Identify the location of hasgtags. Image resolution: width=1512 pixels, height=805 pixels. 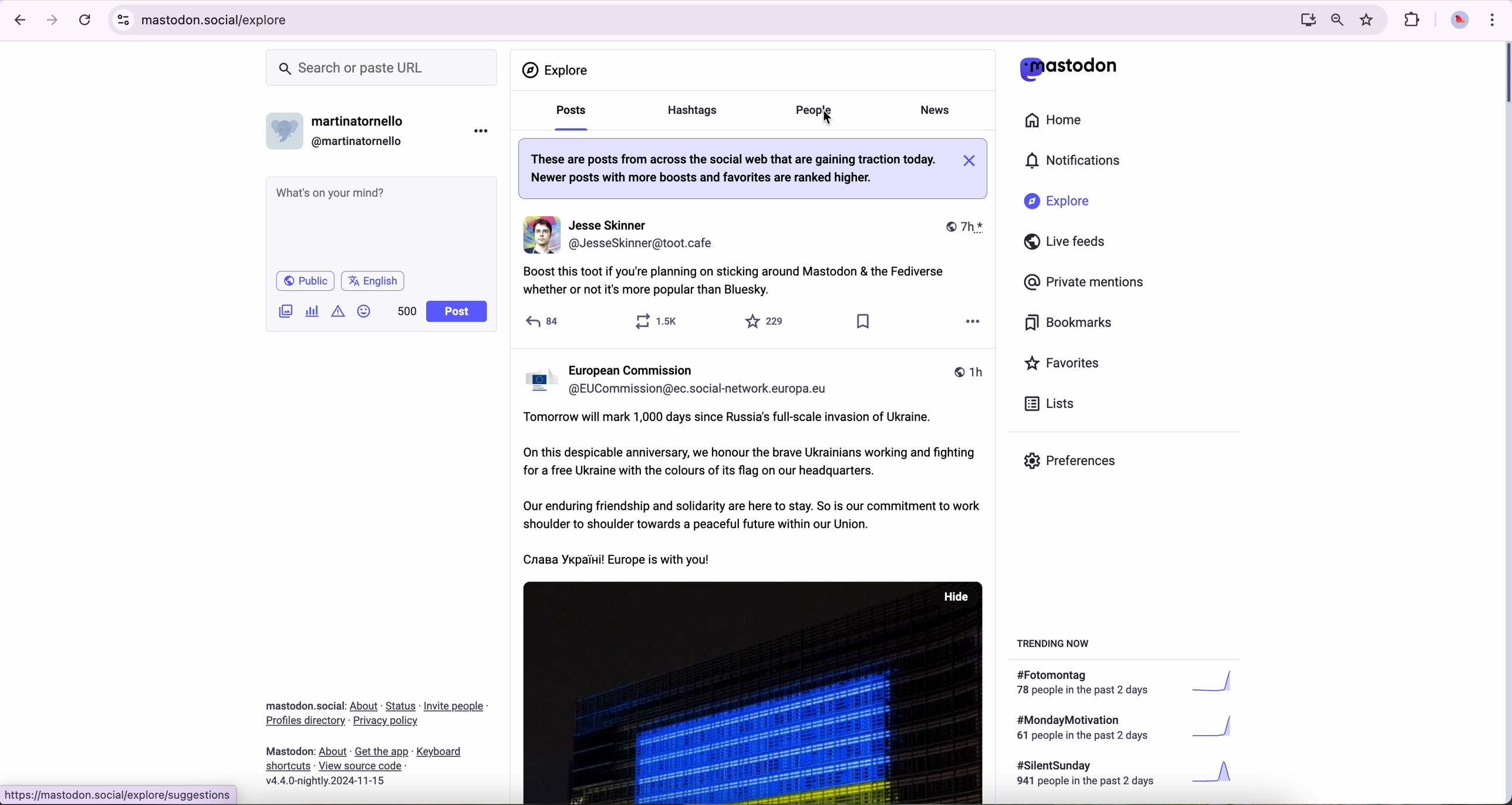
(699, 112).